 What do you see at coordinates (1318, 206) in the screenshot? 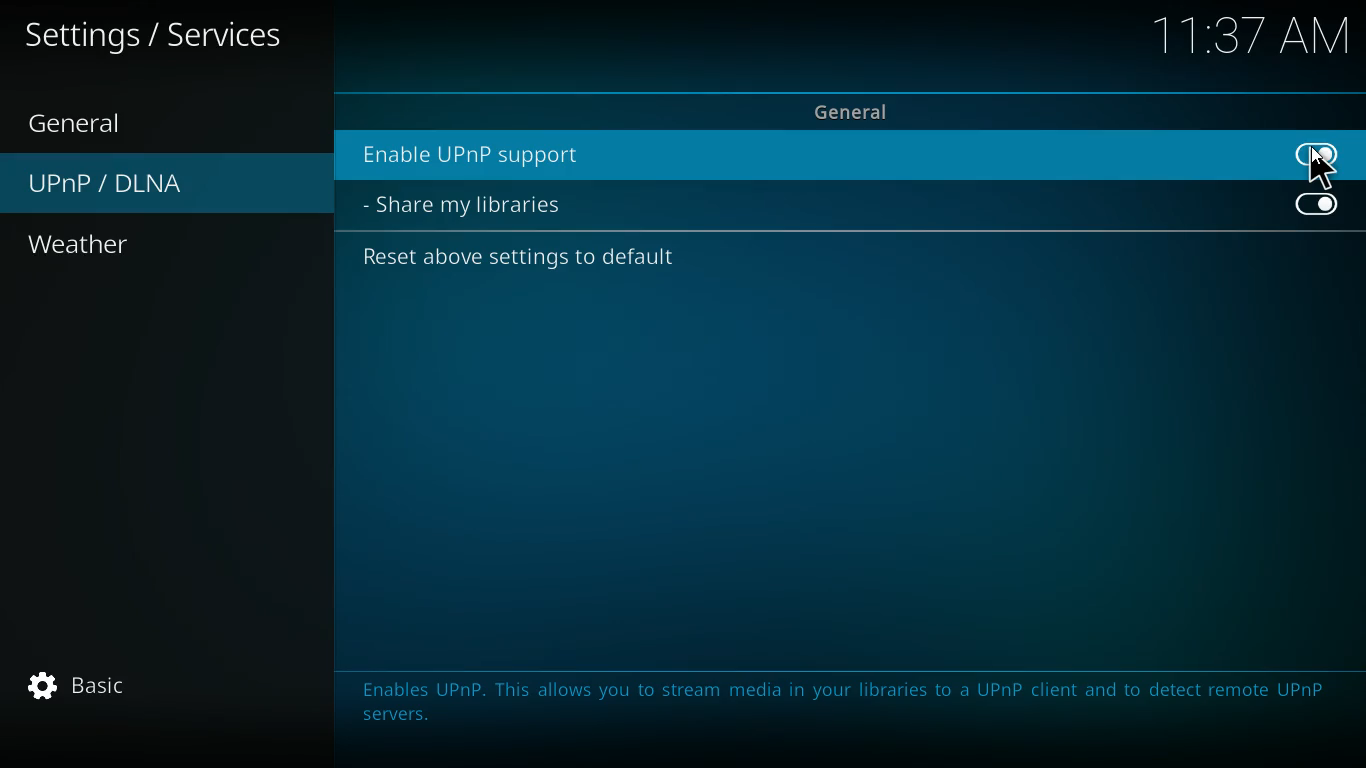
I see `` at bounding box center [1318, 206].